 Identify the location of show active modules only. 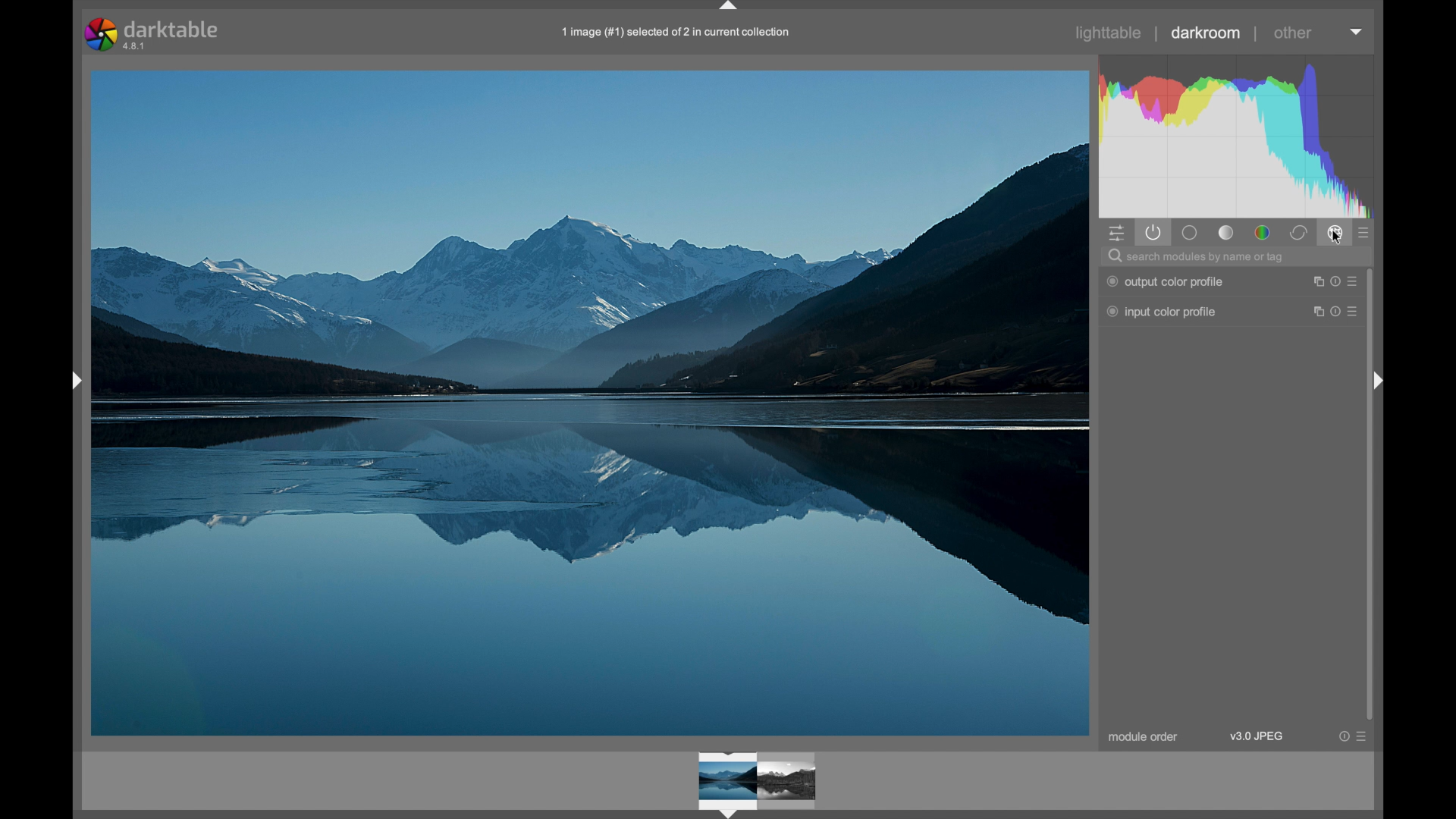
(1153, 233).